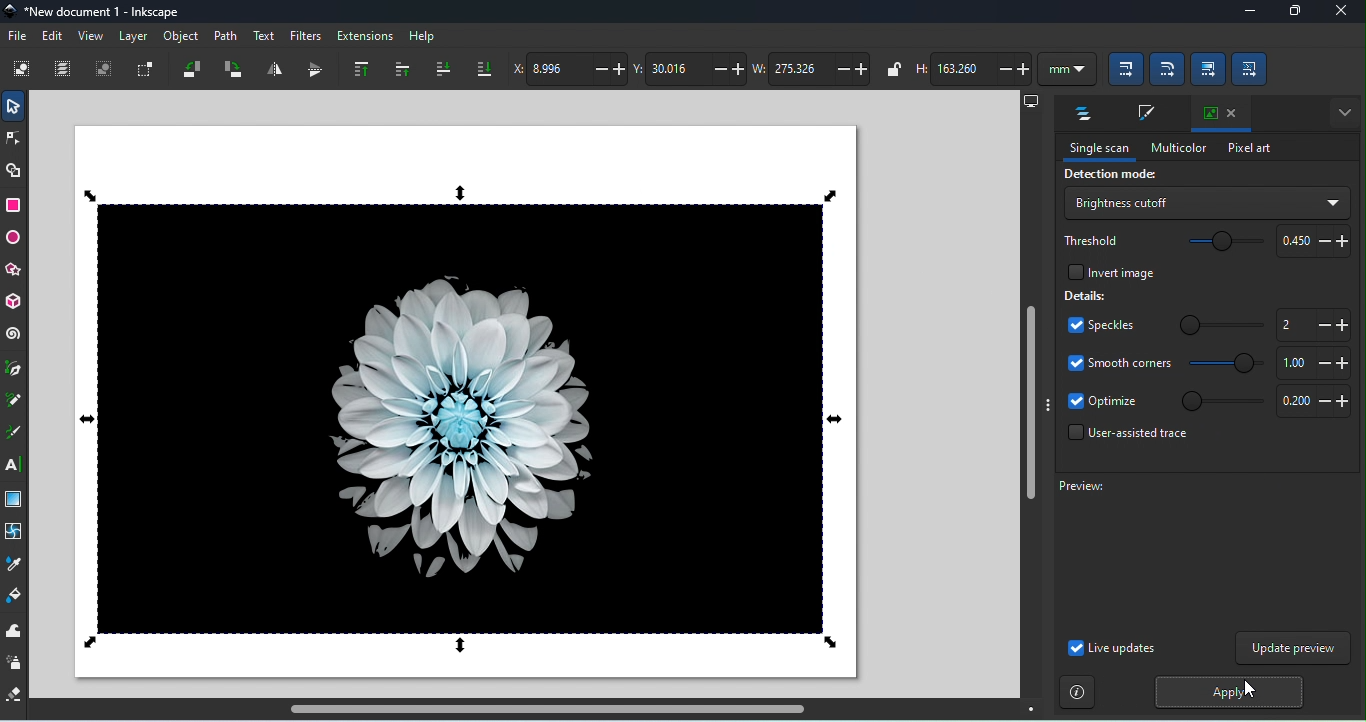  I want to click on Toggle selection box to select all touched objects, so click(147, 69).